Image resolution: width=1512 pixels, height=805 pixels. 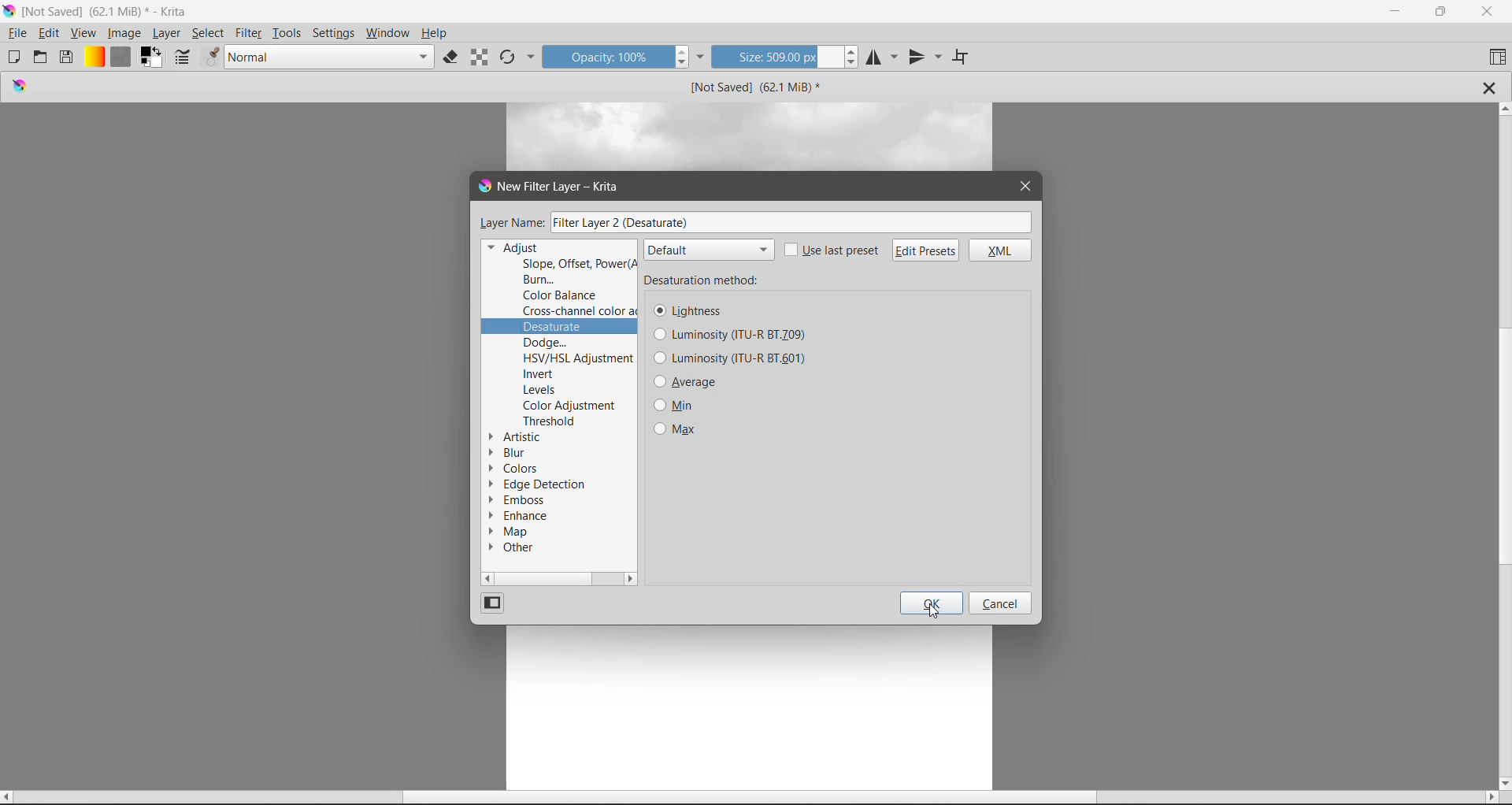 What do you see at coordinates (328, 57) in the screenshot?
I see `Blending mode` at bounding box center [328, 57].